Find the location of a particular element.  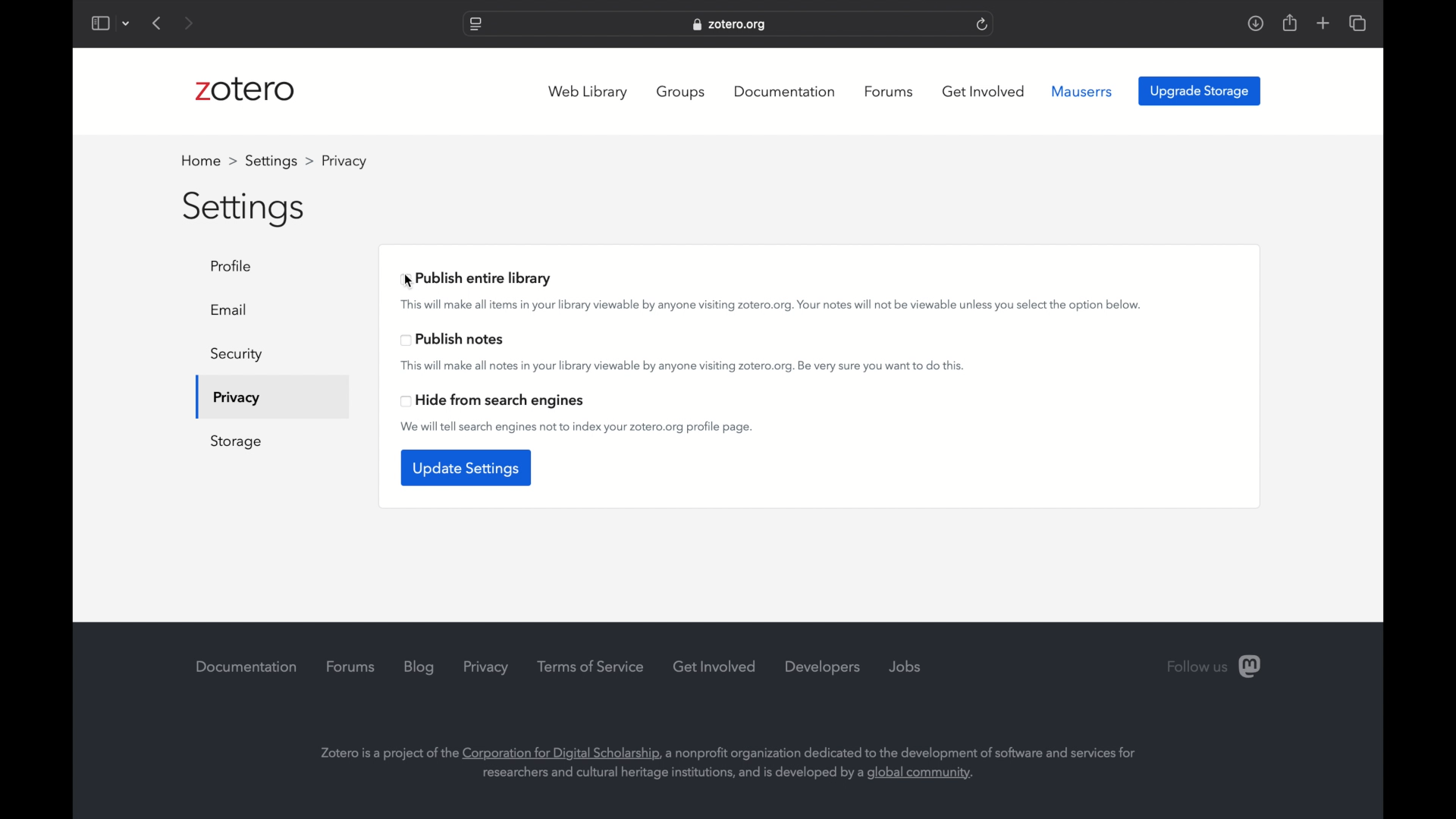

we will tell search engines not to index your zotero.org profile page is located at coordinates (578, 427).